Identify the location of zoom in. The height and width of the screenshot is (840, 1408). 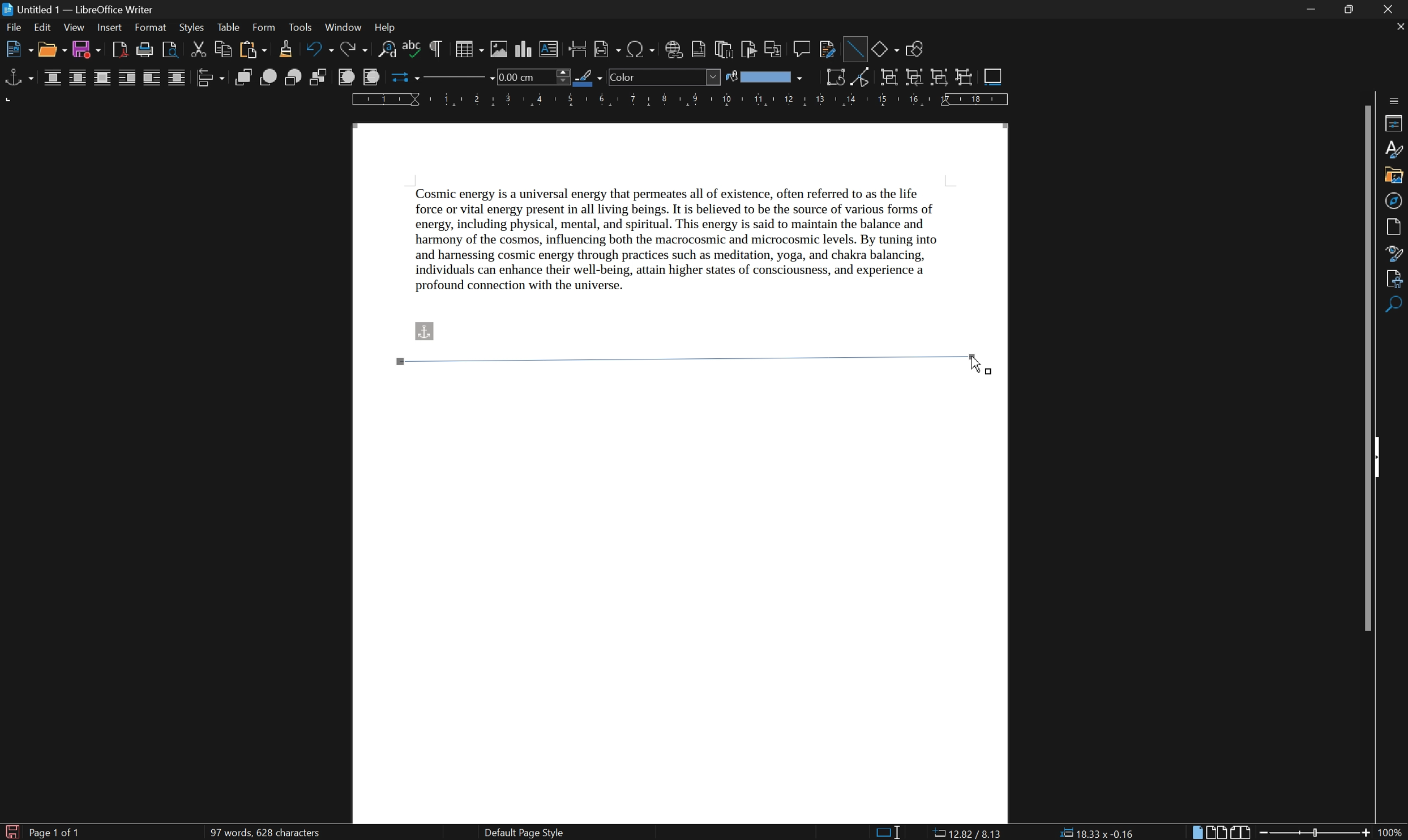
(1364, 833).